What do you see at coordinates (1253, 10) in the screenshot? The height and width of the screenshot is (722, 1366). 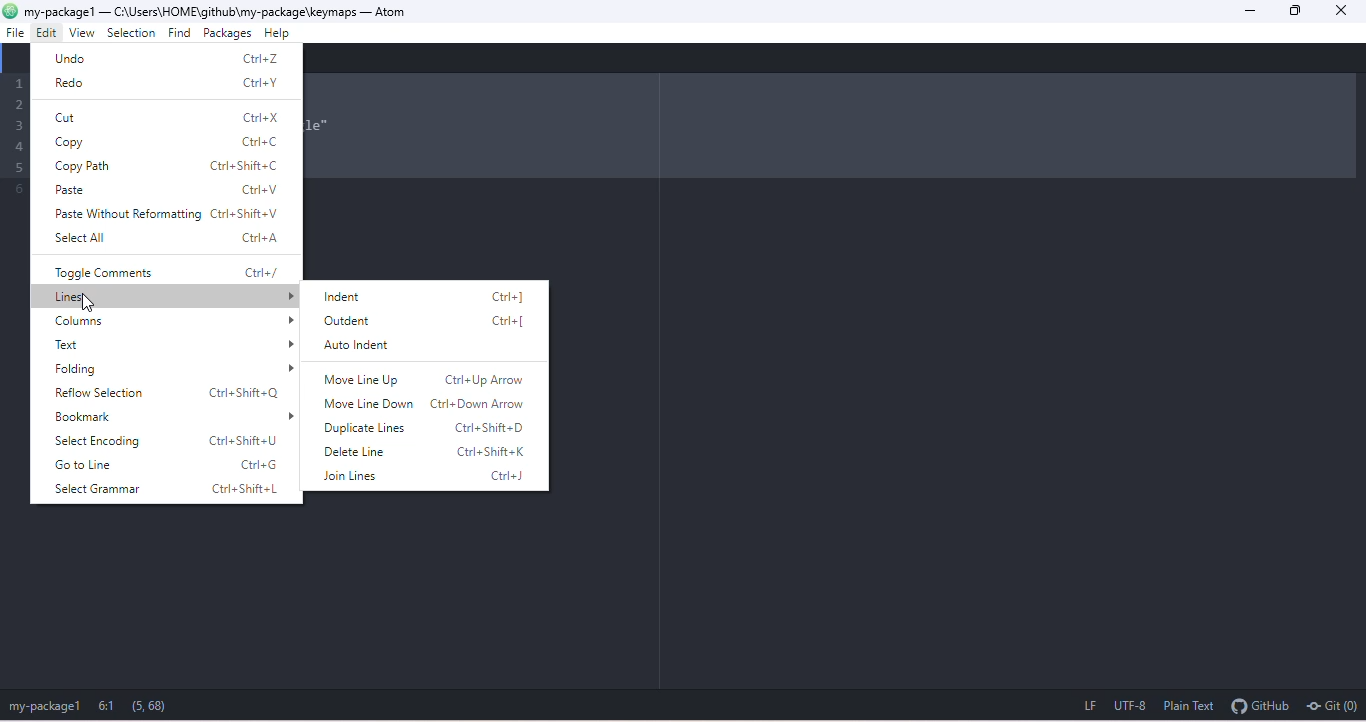 I see `minimize` at bounding box center [1253, 10].